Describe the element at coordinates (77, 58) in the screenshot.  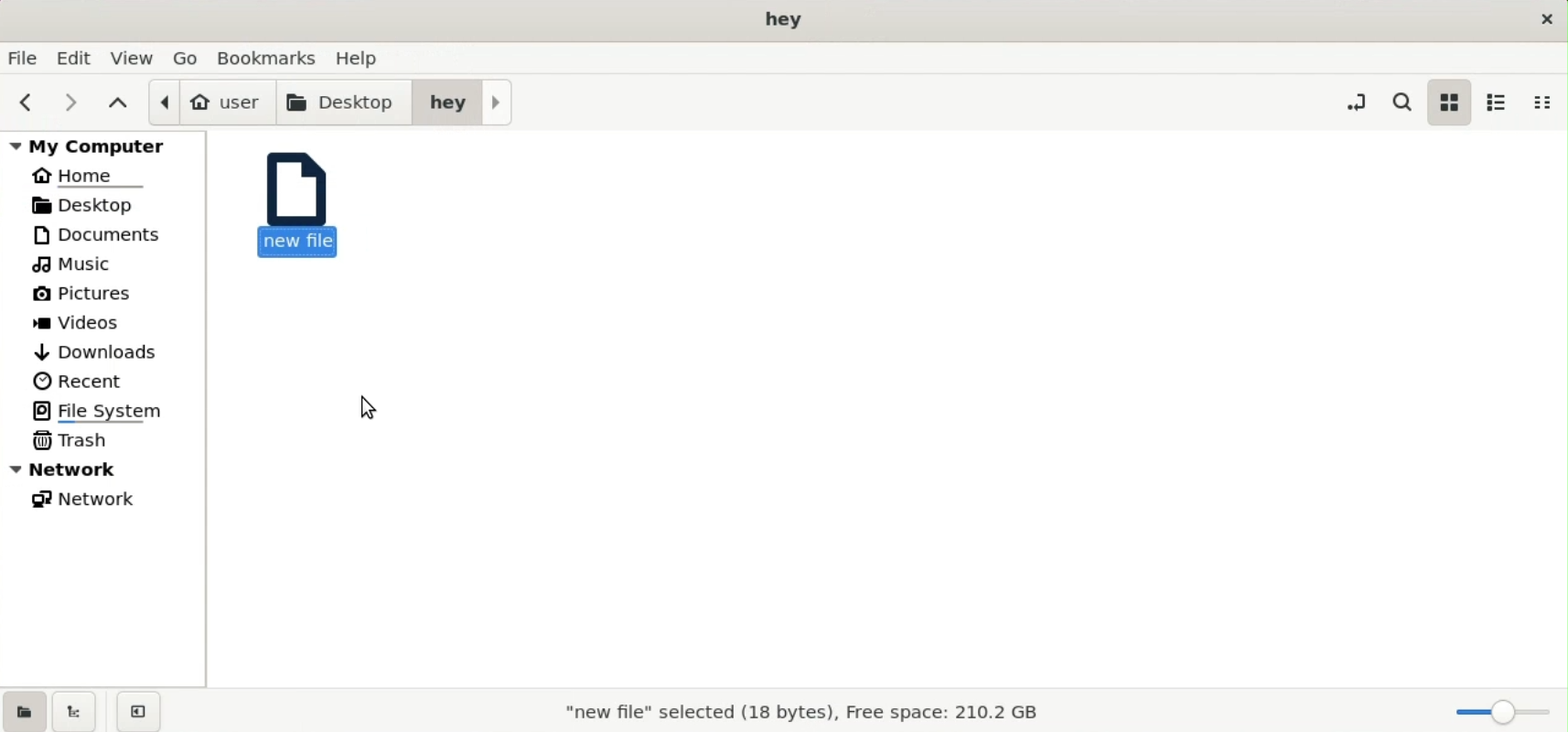
I see `edit` at that location.